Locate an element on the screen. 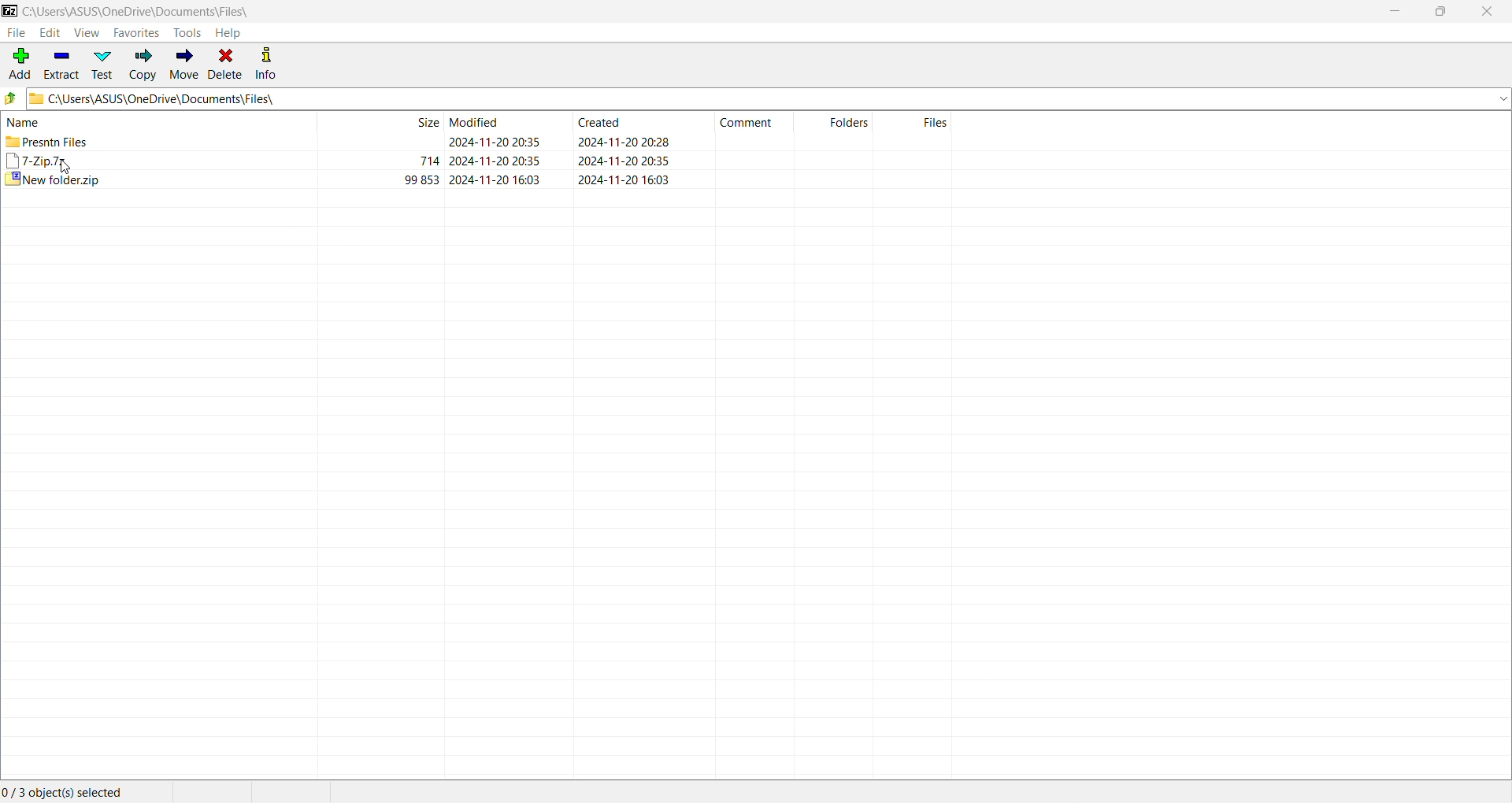 The width and height of the screenshot is (1512, 803). Tools is located at coordinates (189, 31).